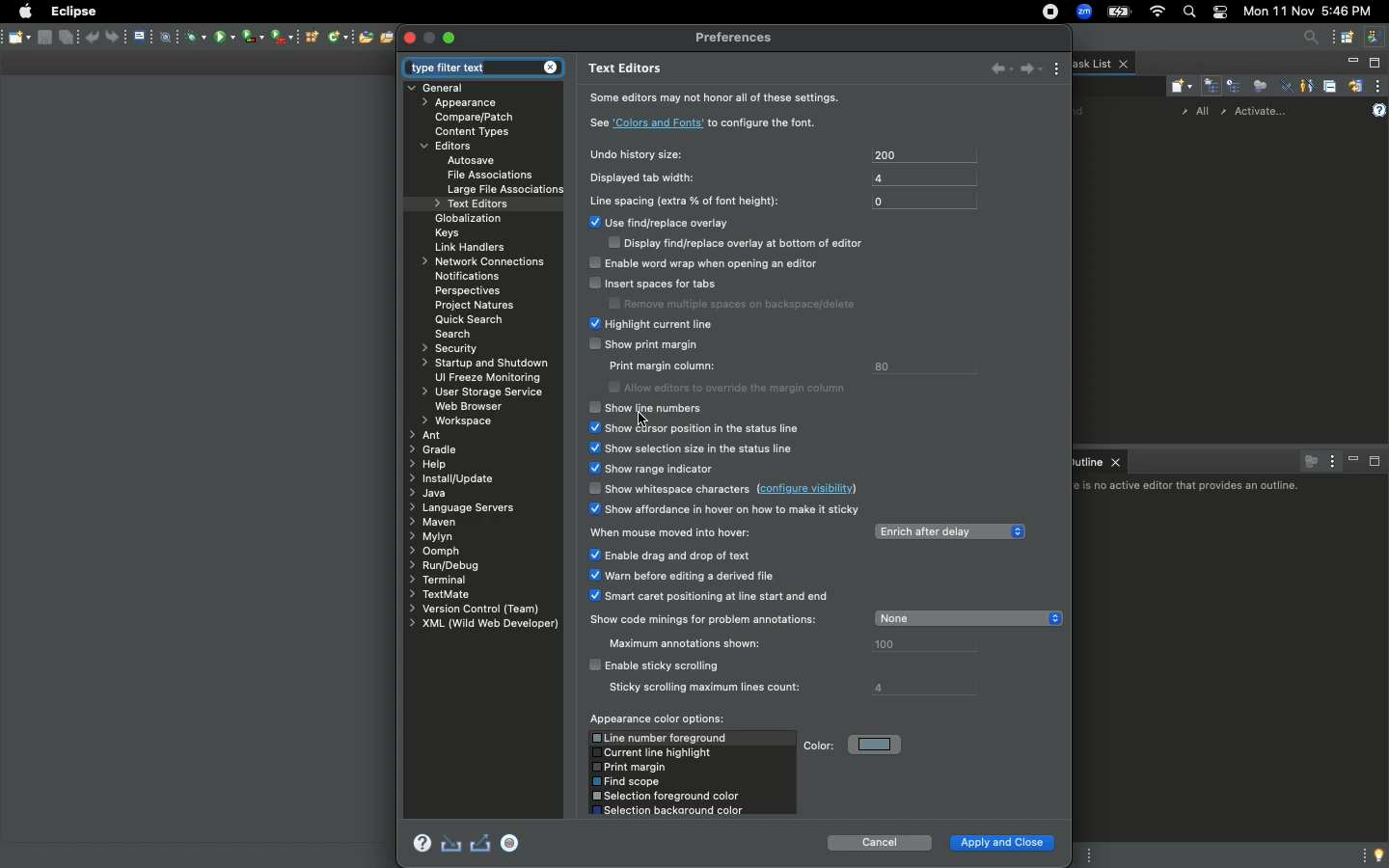  I want to click on Open file, so click(388, 38).